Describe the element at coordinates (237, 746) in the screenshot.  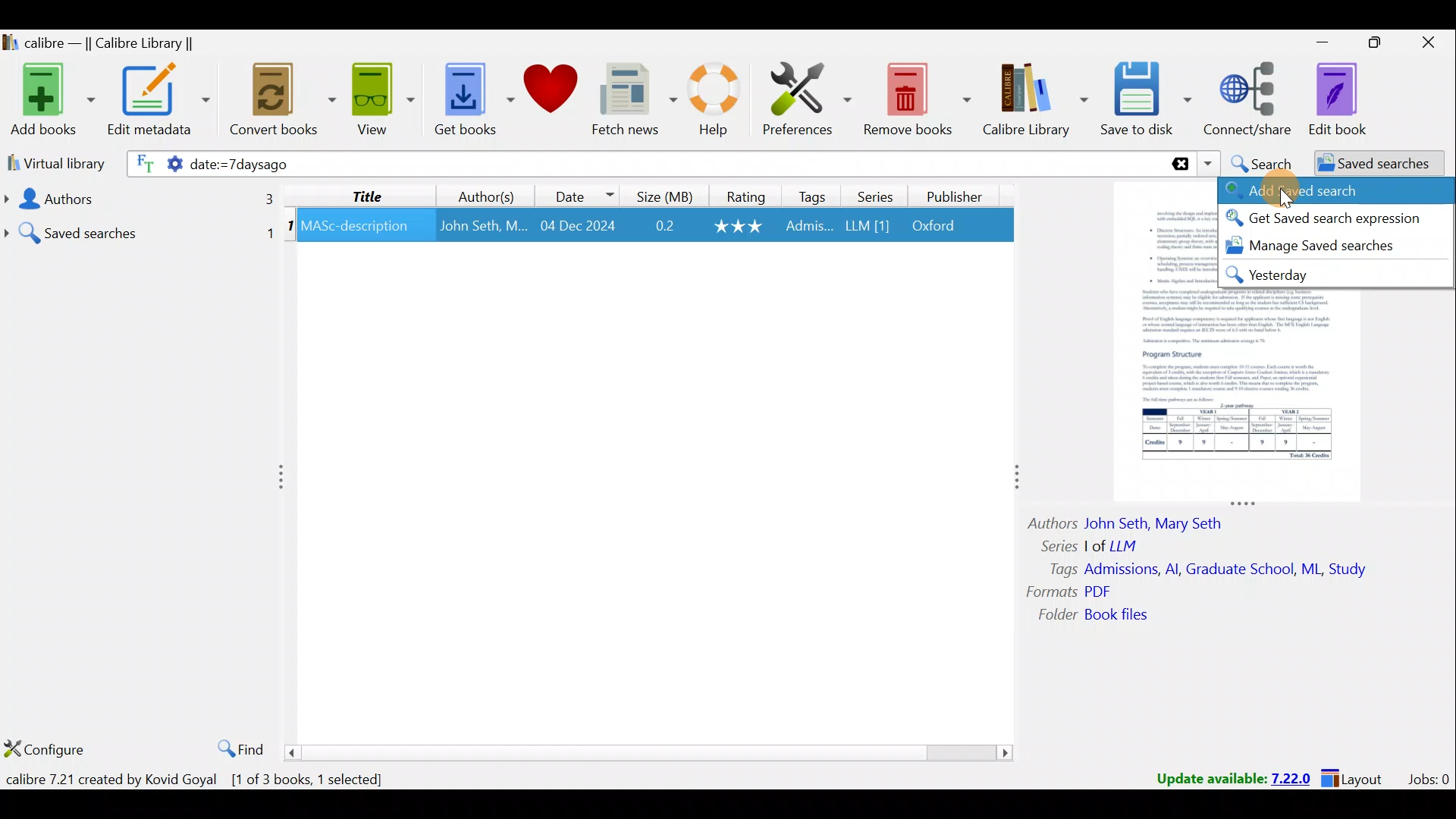
I see `Find` at that location.